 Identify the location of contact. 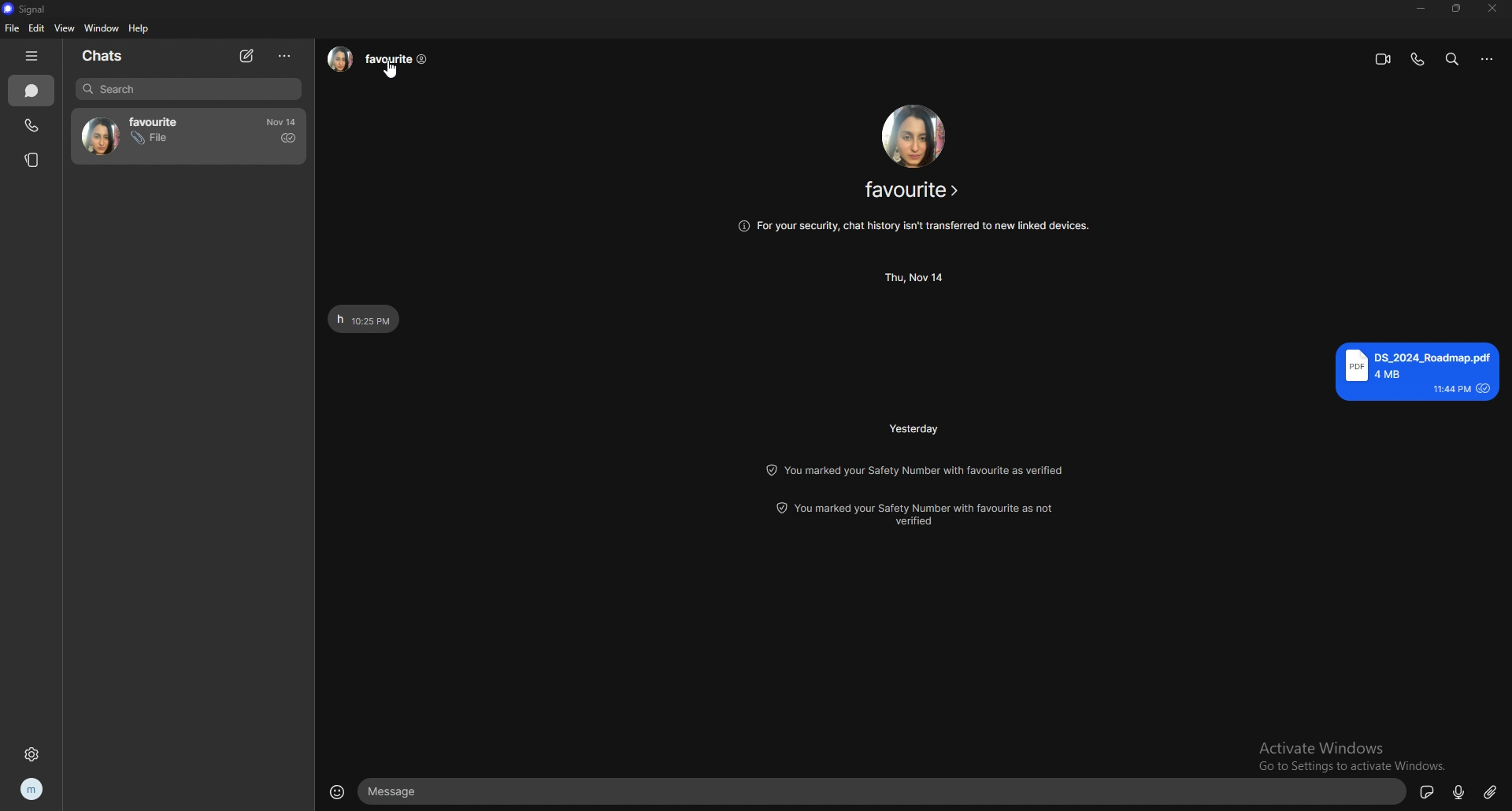
(165, 135).